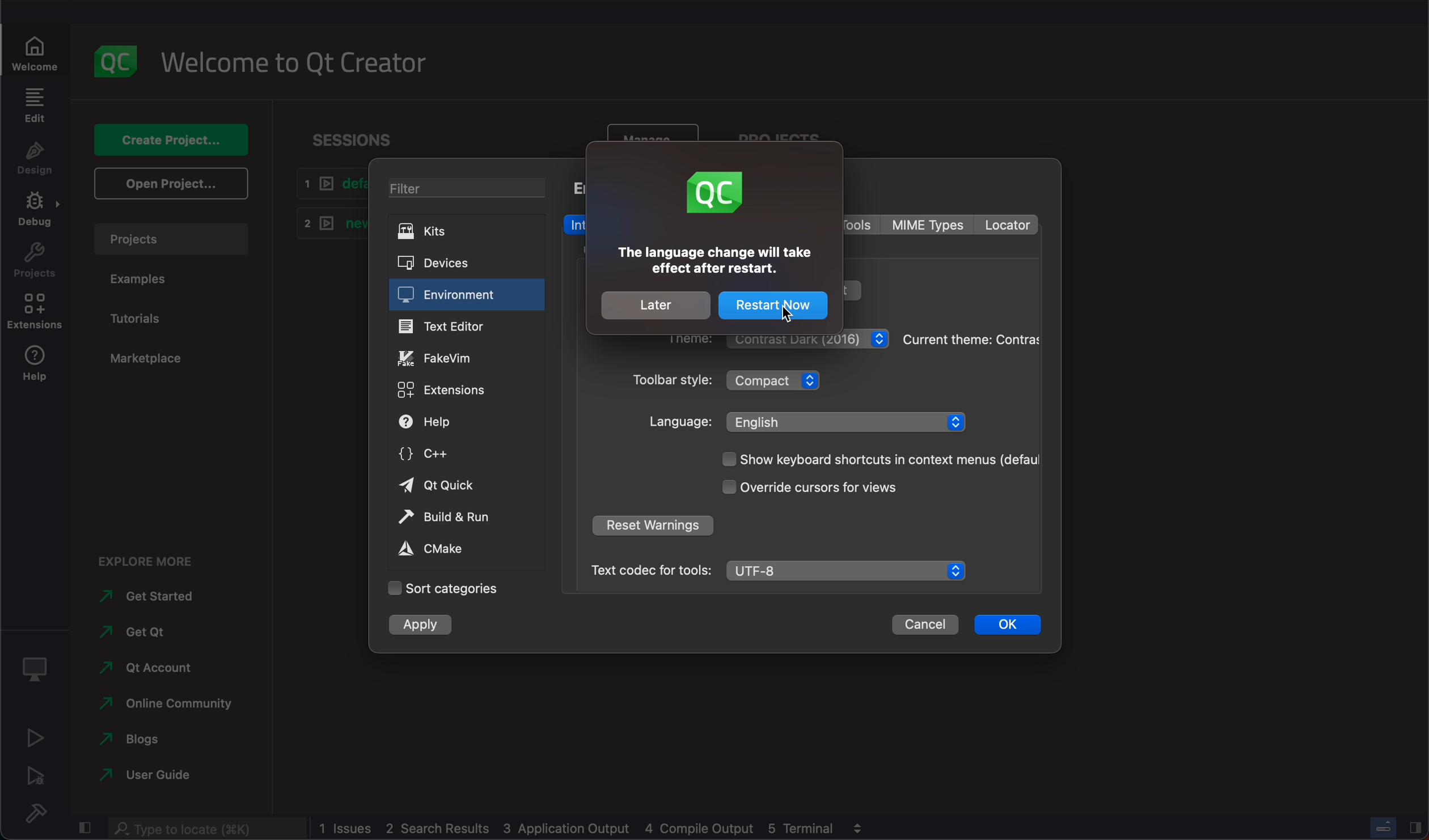 Image resolution: width=1429 pixels, height=840 pixels. What do you see at coordinates (35, 776) in the screenshot?
I see `run debug` at bounding box center [35, 776].